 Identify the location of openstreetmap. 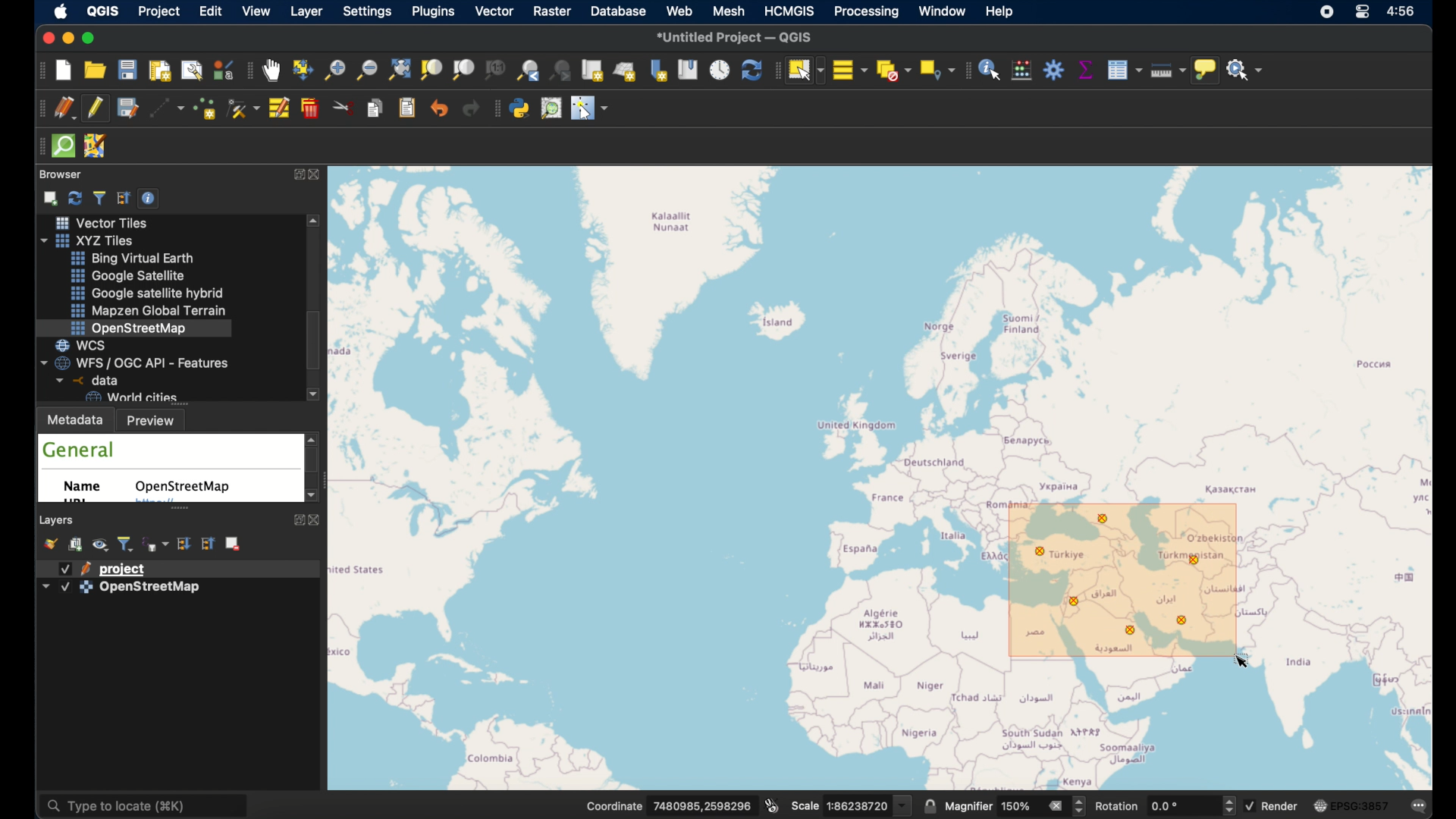
(186, 487).